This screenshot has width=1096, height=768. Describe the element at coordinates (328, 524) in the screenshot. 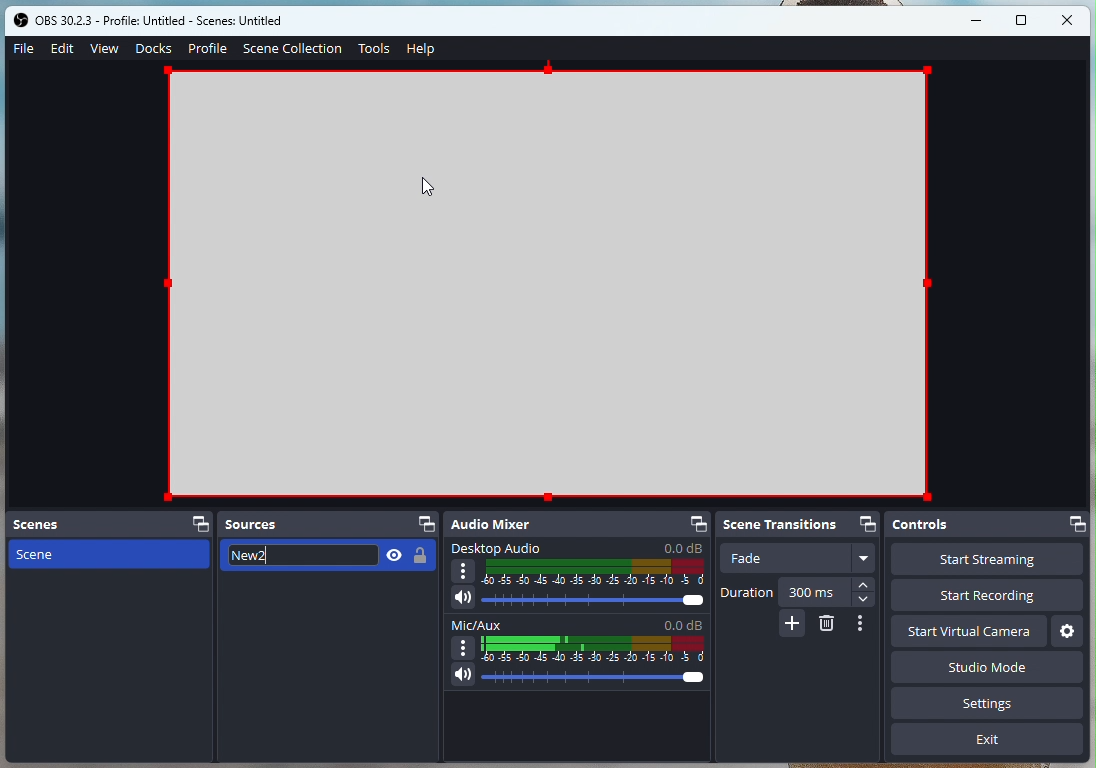

I see `Sources` at that location.